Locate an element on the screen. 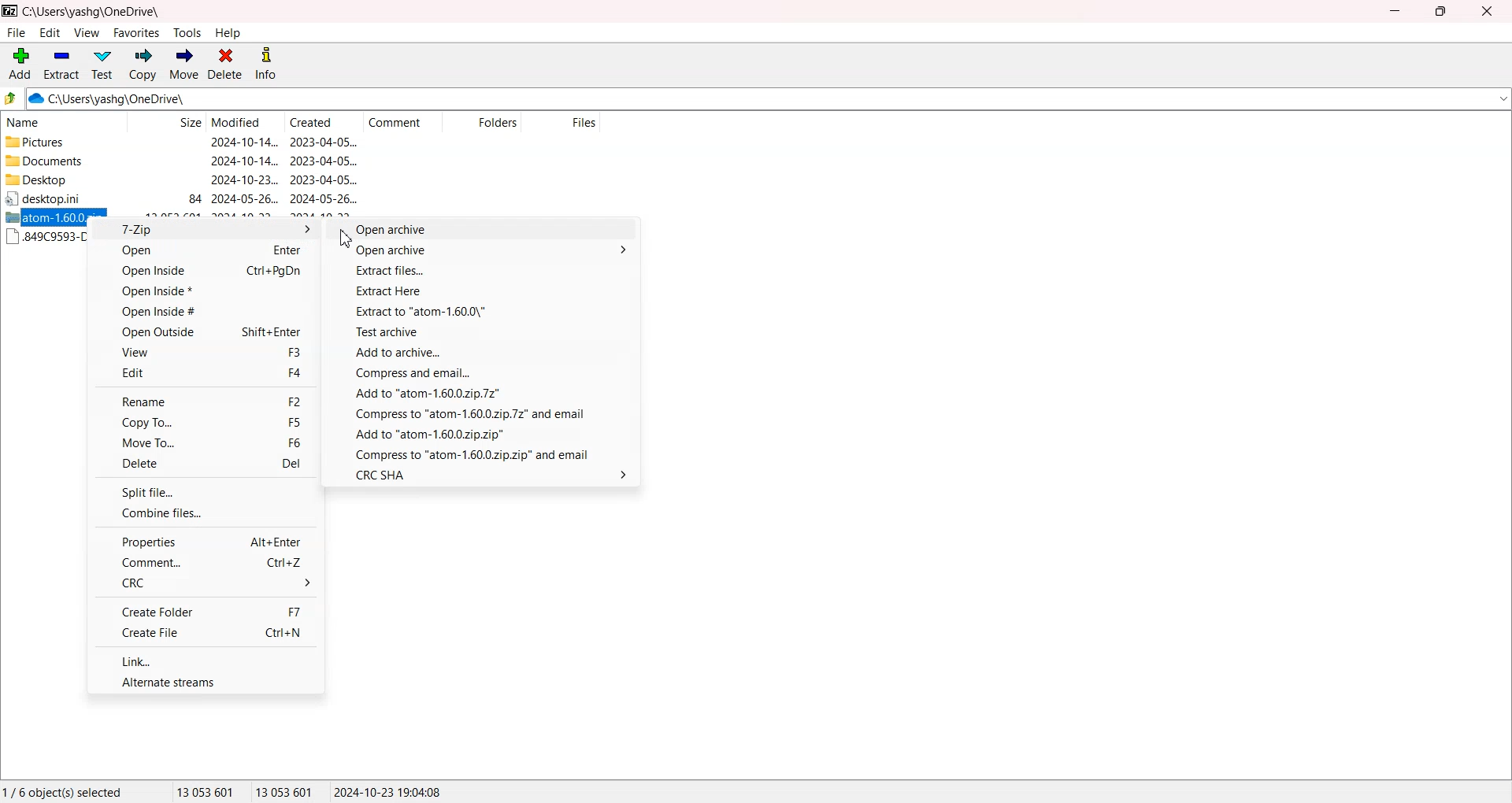 This screenshot has height=803, width=1512. Move is located at coordinates (183, 65).